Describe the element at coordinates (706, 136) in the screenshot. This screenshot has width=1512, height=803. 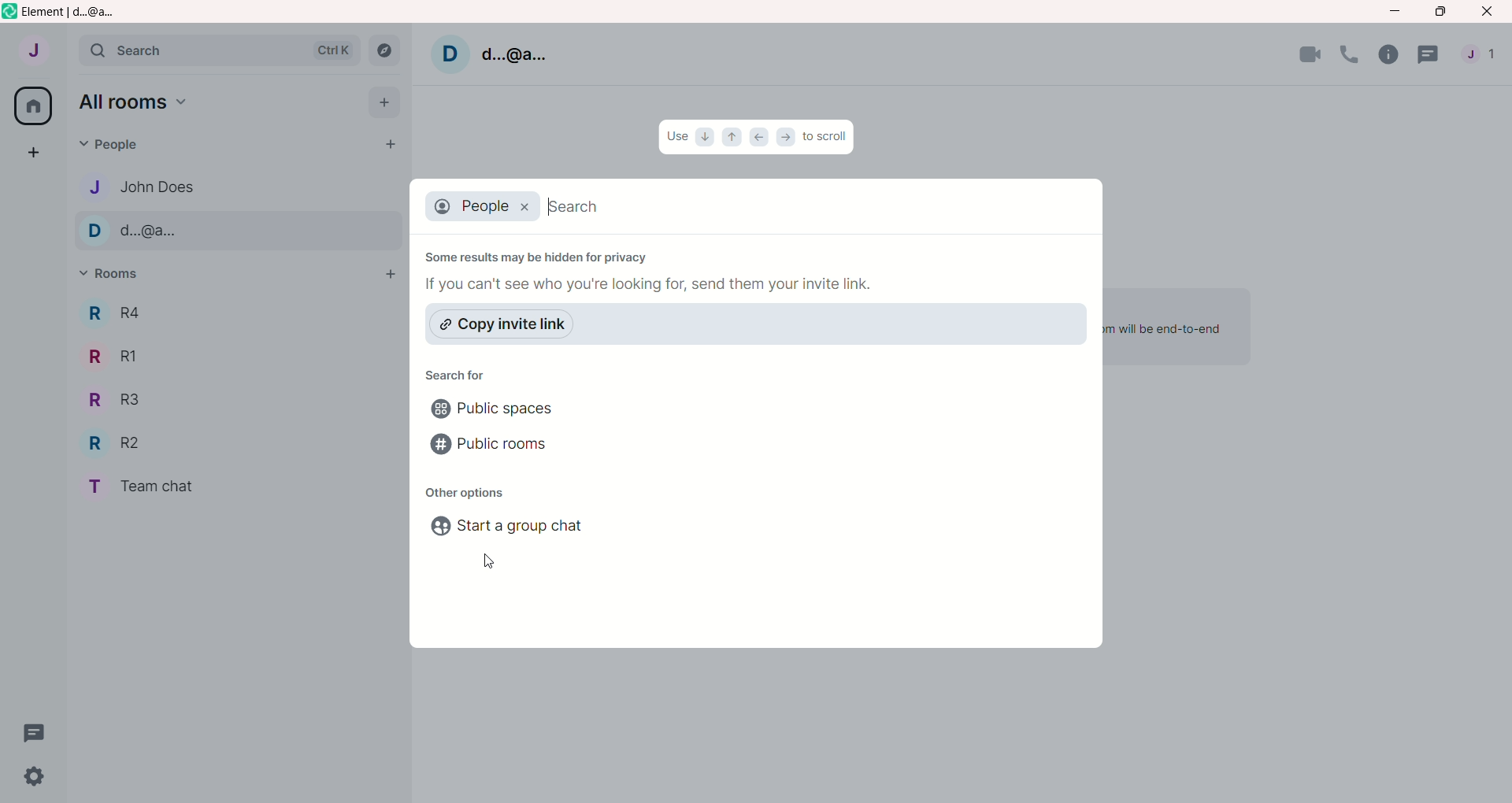
I see `down arrow icon` at that location.